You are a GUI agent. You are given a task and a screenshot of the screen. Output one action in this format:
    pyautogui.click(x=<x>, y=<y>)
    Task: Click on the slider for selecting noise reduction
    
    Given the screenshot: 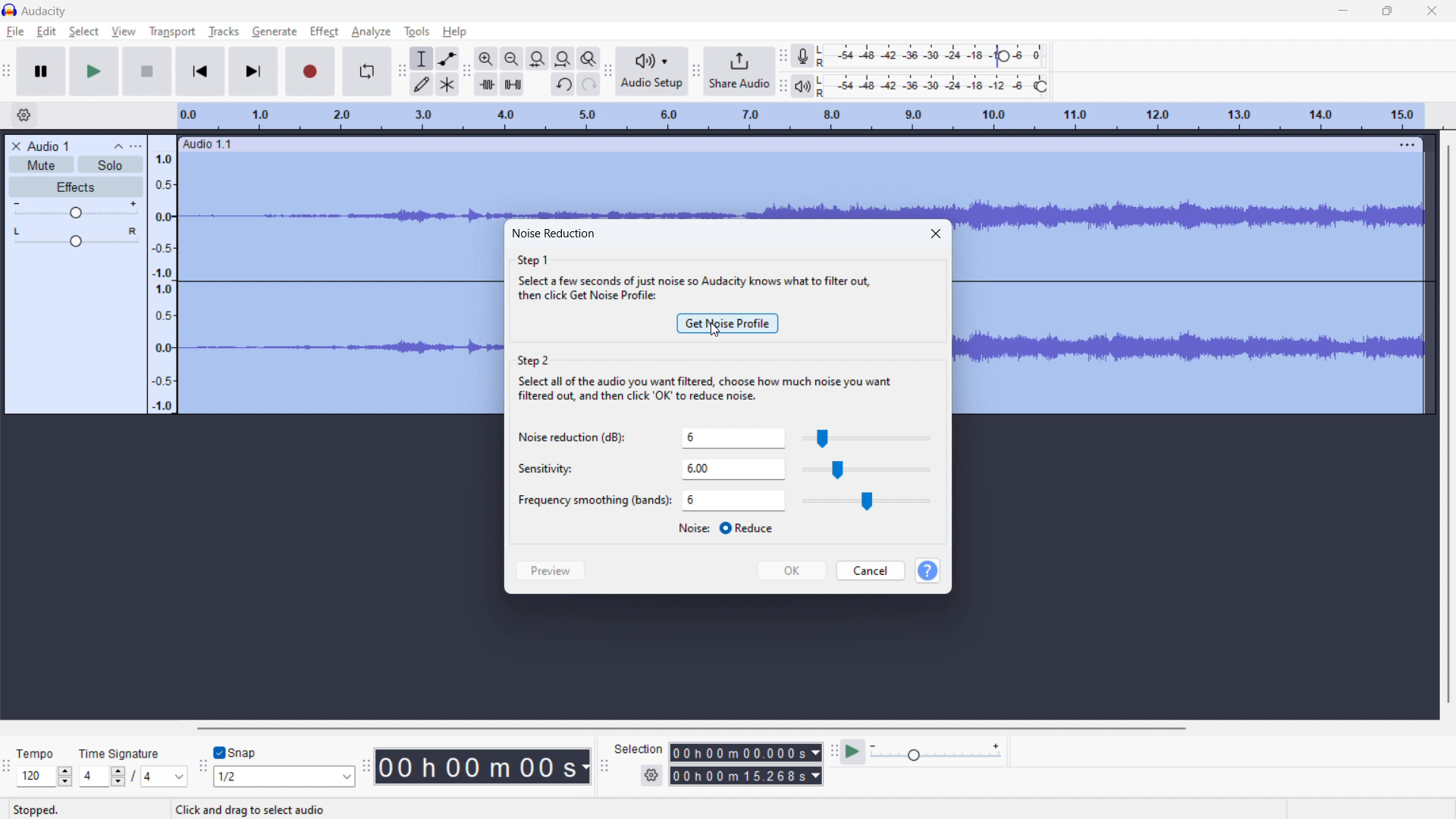 What is the action you would take?
    pyautogui.click(x=867, y=438)
    